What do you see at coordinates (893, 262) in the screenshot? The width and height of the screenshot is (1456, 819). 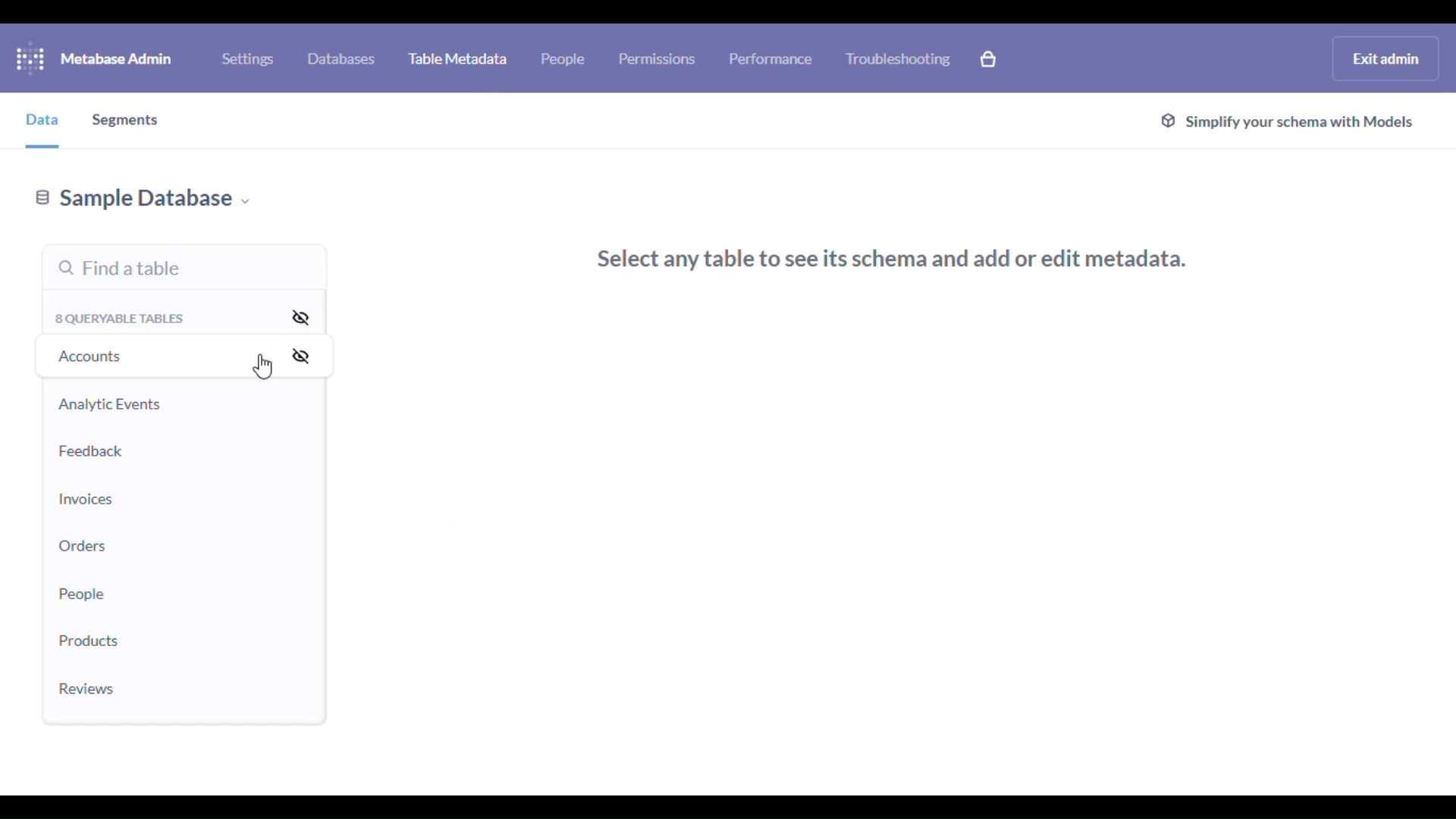 I see `select any table to see its schema and add or edit metadata.` at bounding box center [893, 262].